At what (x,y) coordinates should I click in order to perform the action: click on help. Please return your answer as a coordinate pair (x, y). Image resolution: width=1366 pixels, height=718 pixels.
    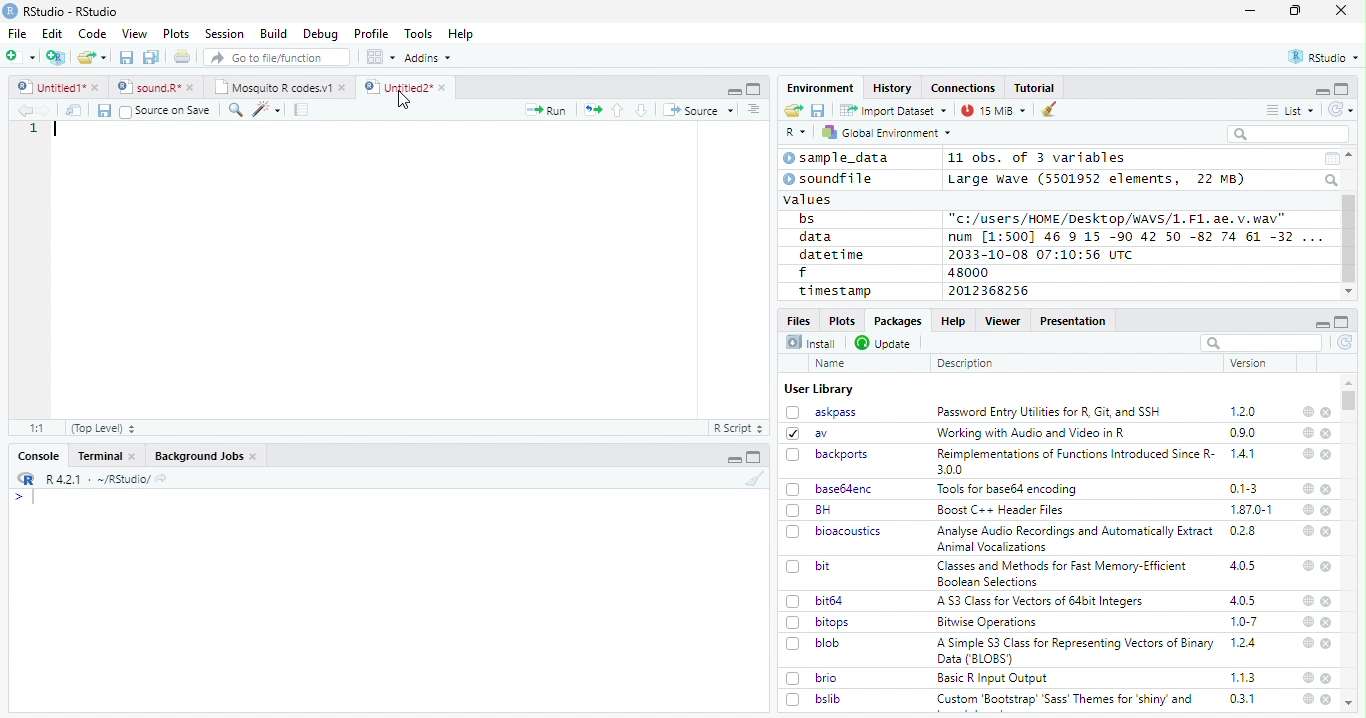
    Looking at the image, I should click on (1307, 699).